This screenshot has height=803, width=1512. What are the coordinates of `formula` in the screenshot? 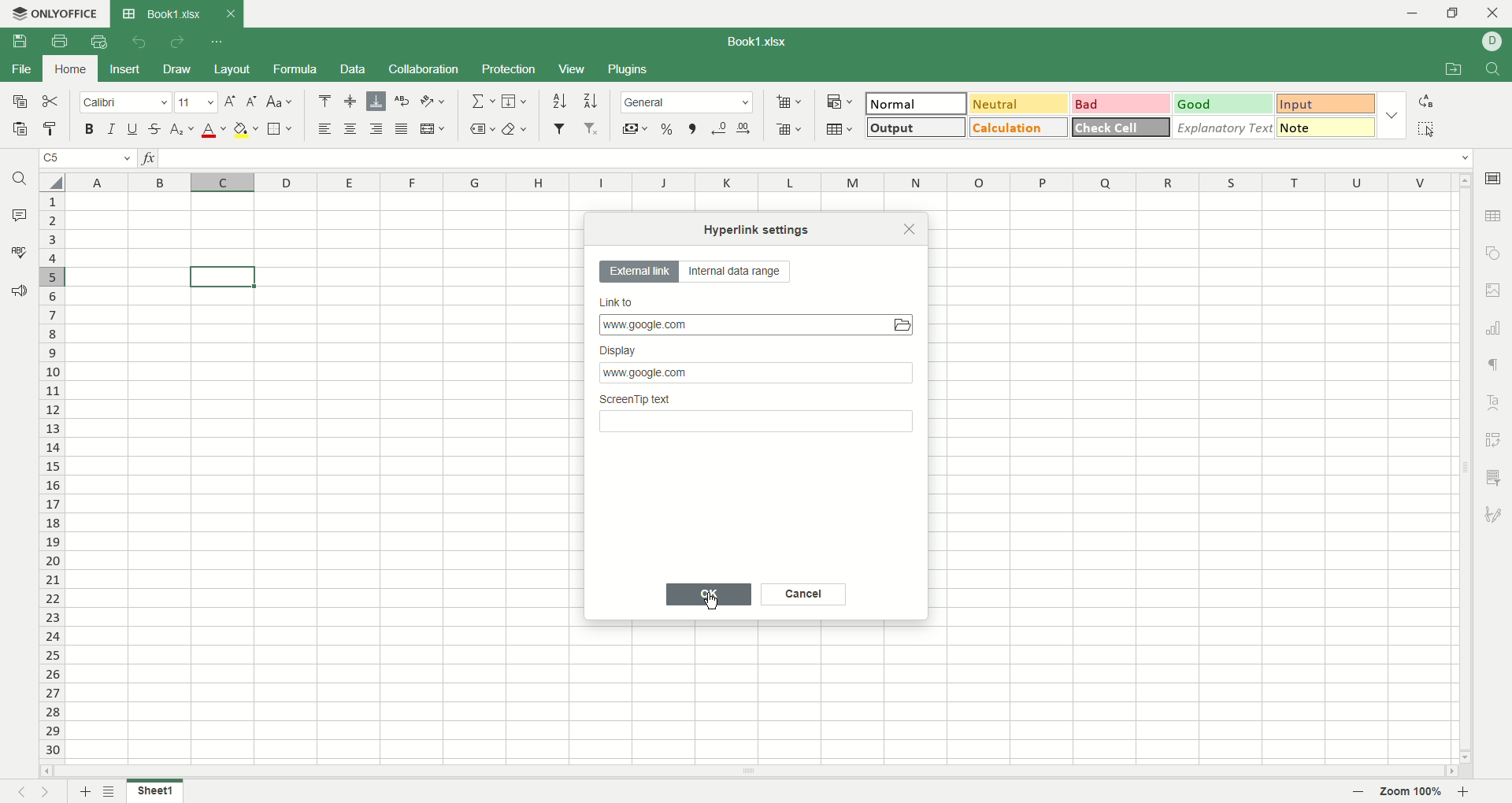 It's located at (299, 69).